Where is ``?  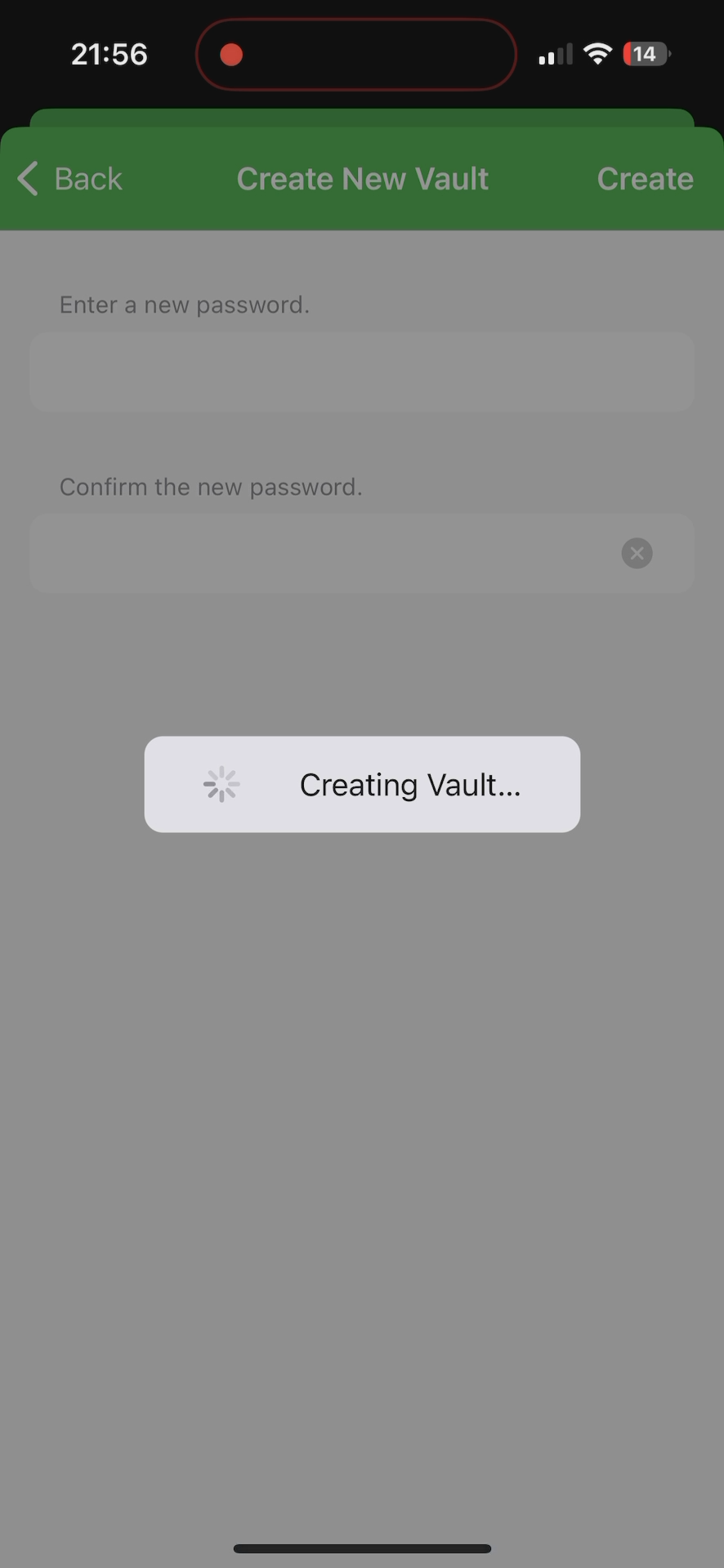  is located at coordinates (372, 174).